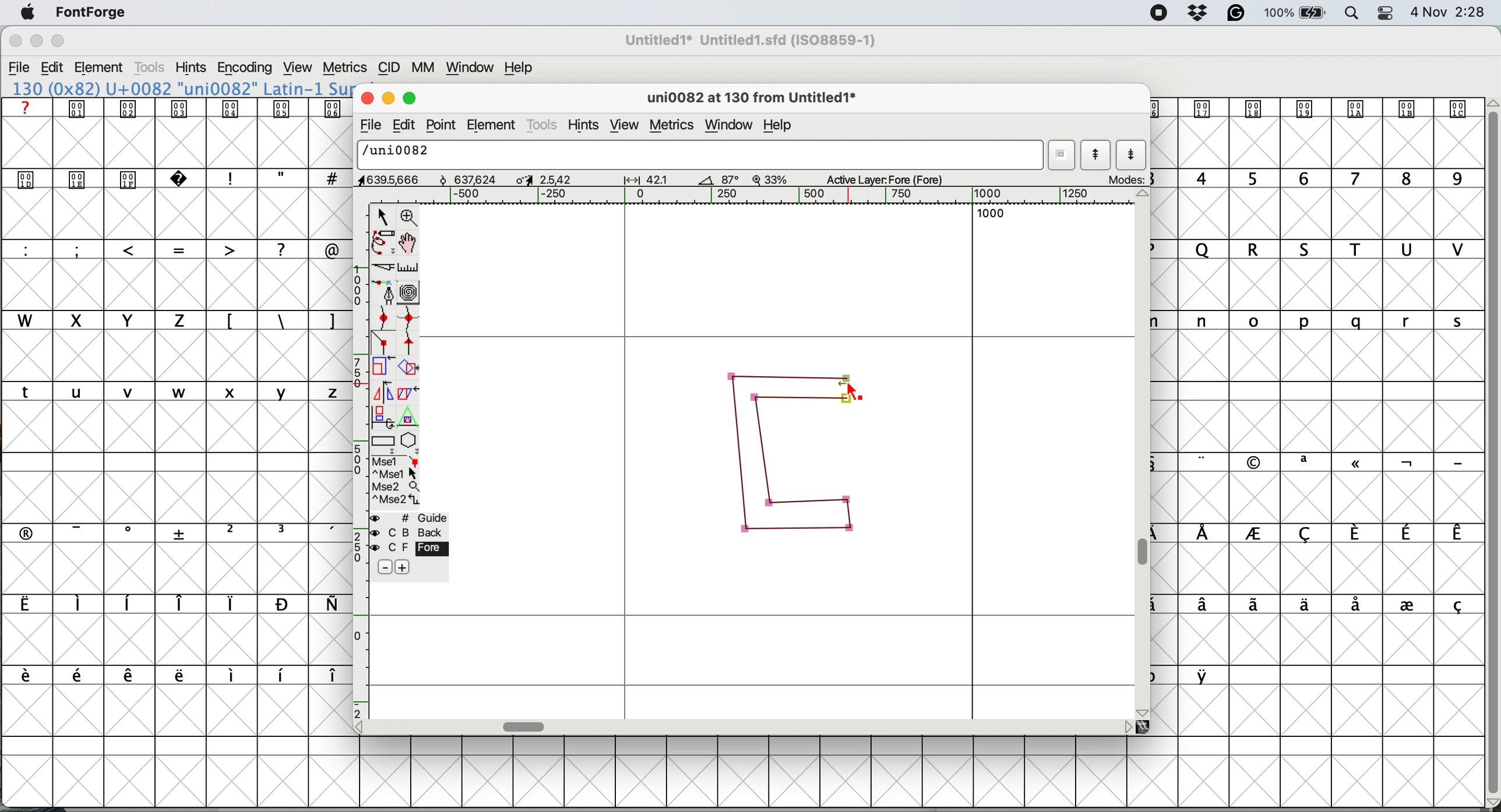 This screenshot has width=1501, height=812. I want to click on remove, so click(386, 568).